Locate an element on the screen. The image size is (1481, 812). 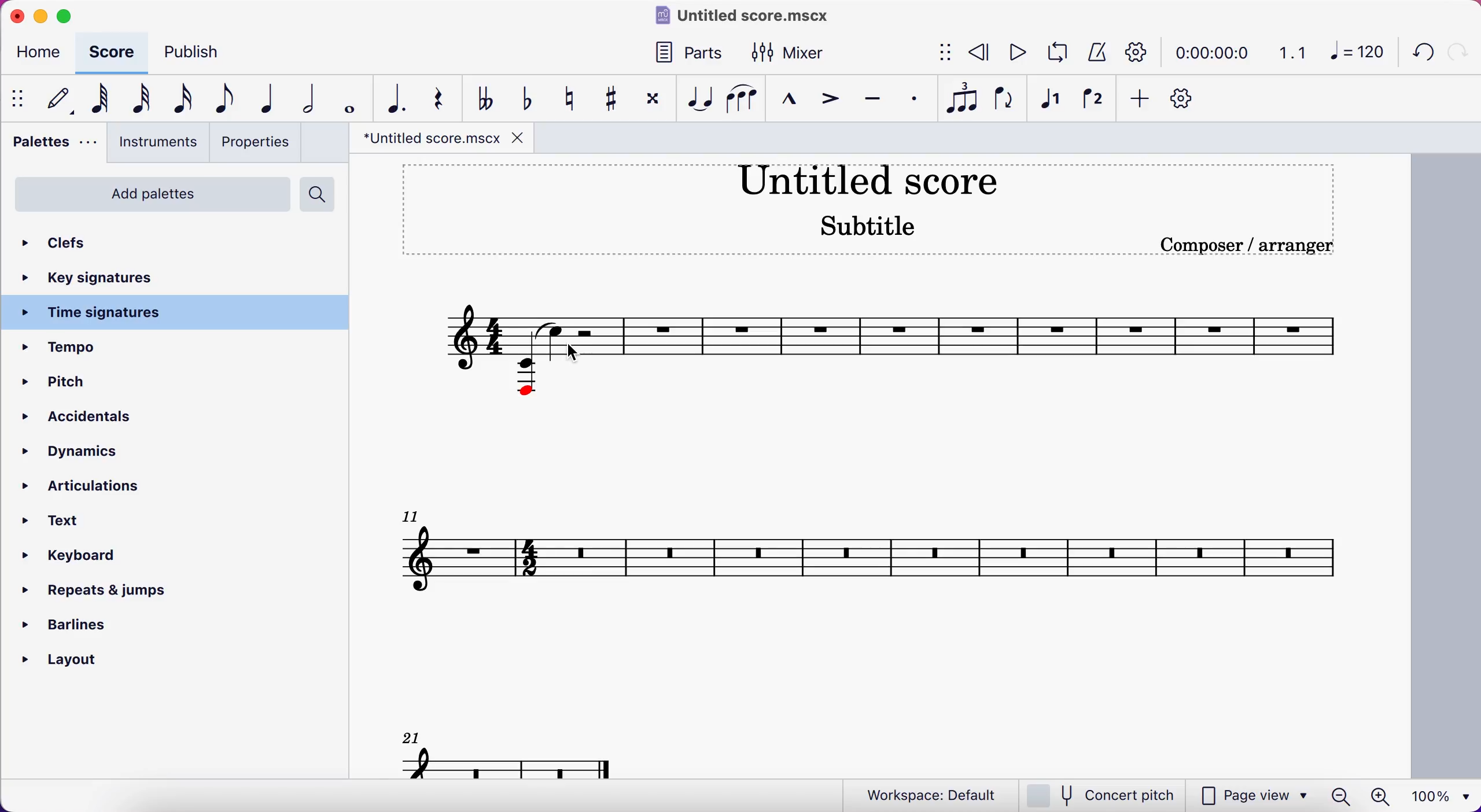
16th note is located at coordinates (190, 99).